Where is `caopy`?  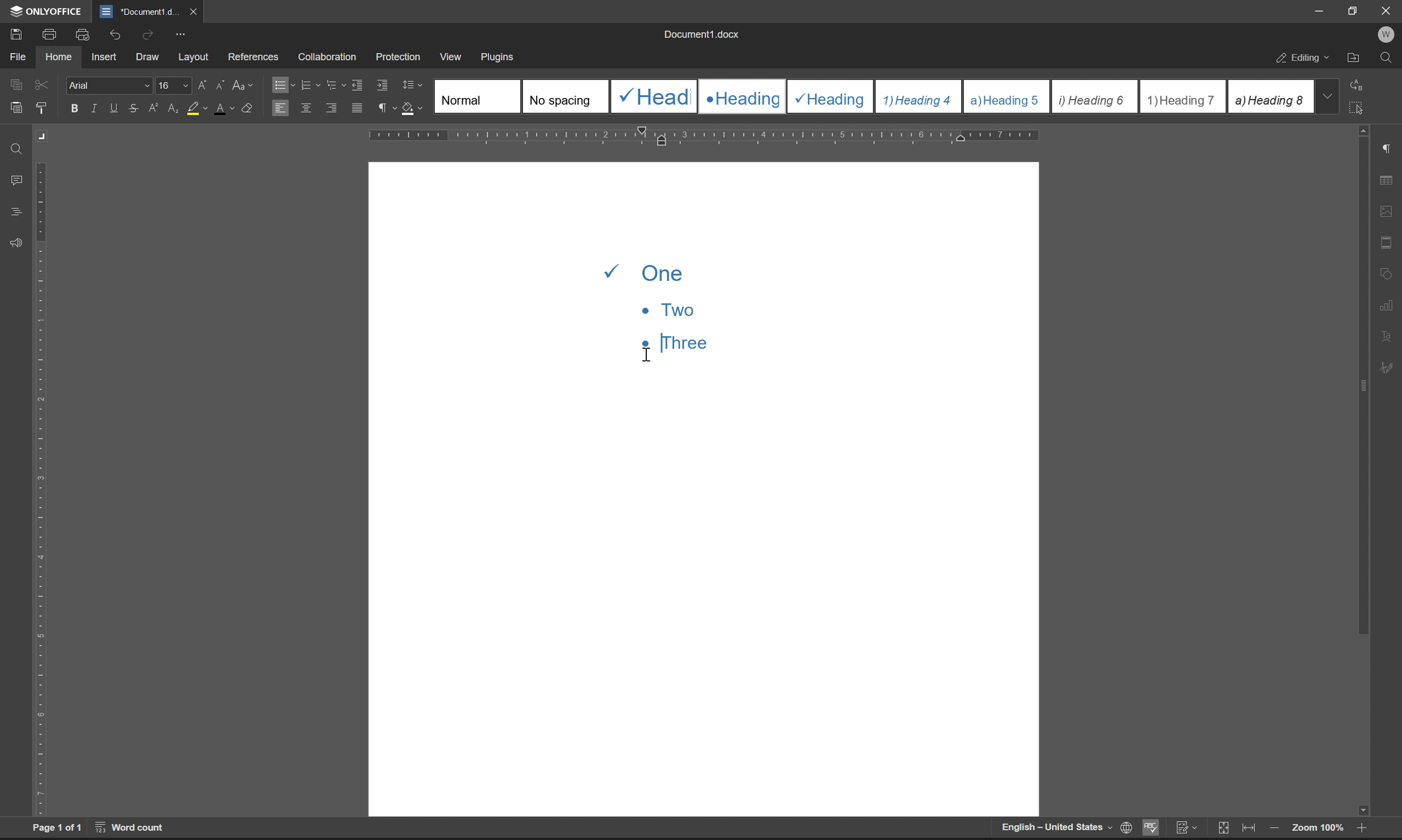 caopy is located at coordinates (14, 87).